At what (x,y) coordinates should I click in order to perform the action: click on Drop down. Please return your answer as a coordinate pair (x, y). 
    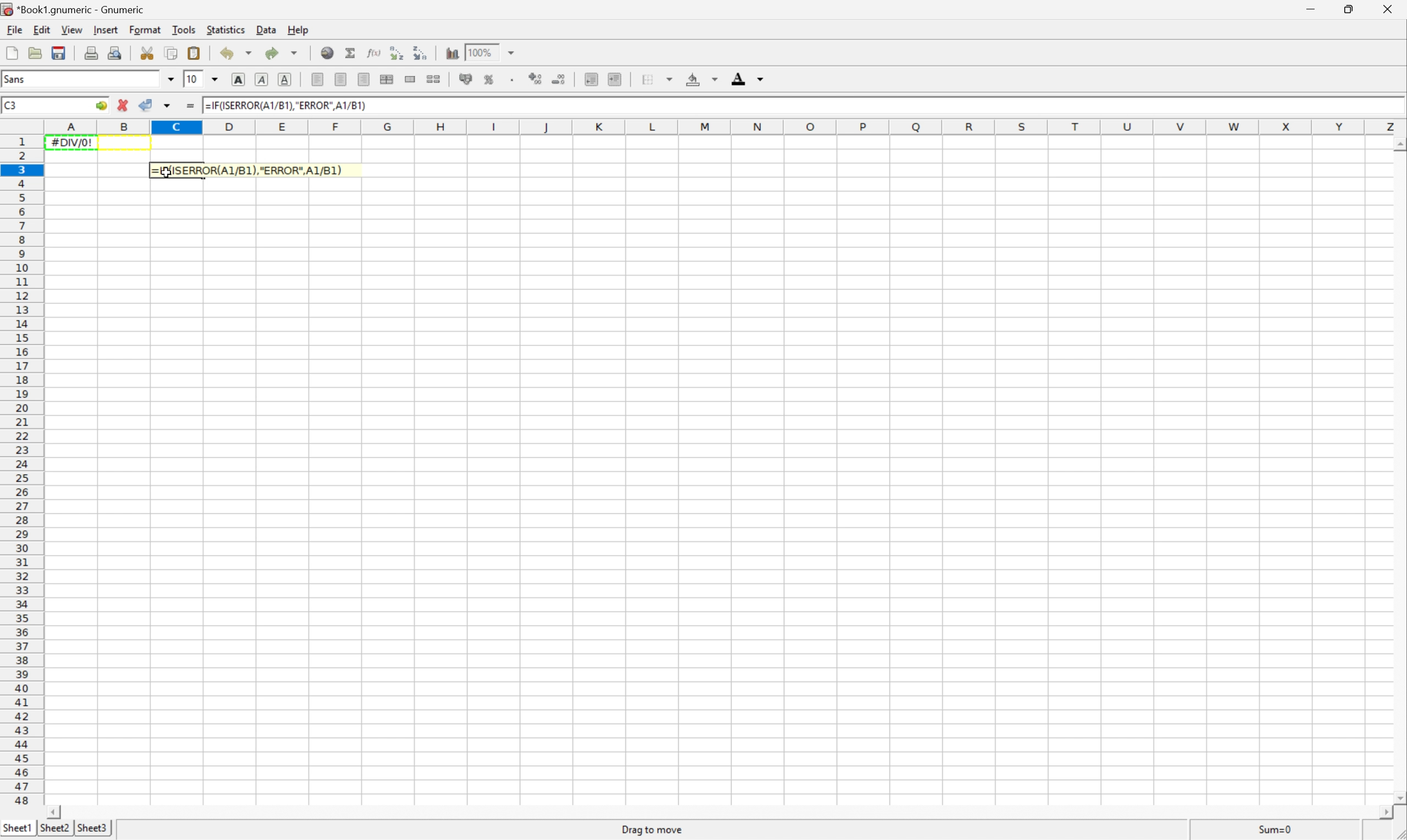
    Looking at the image, I should click on (716, 80).